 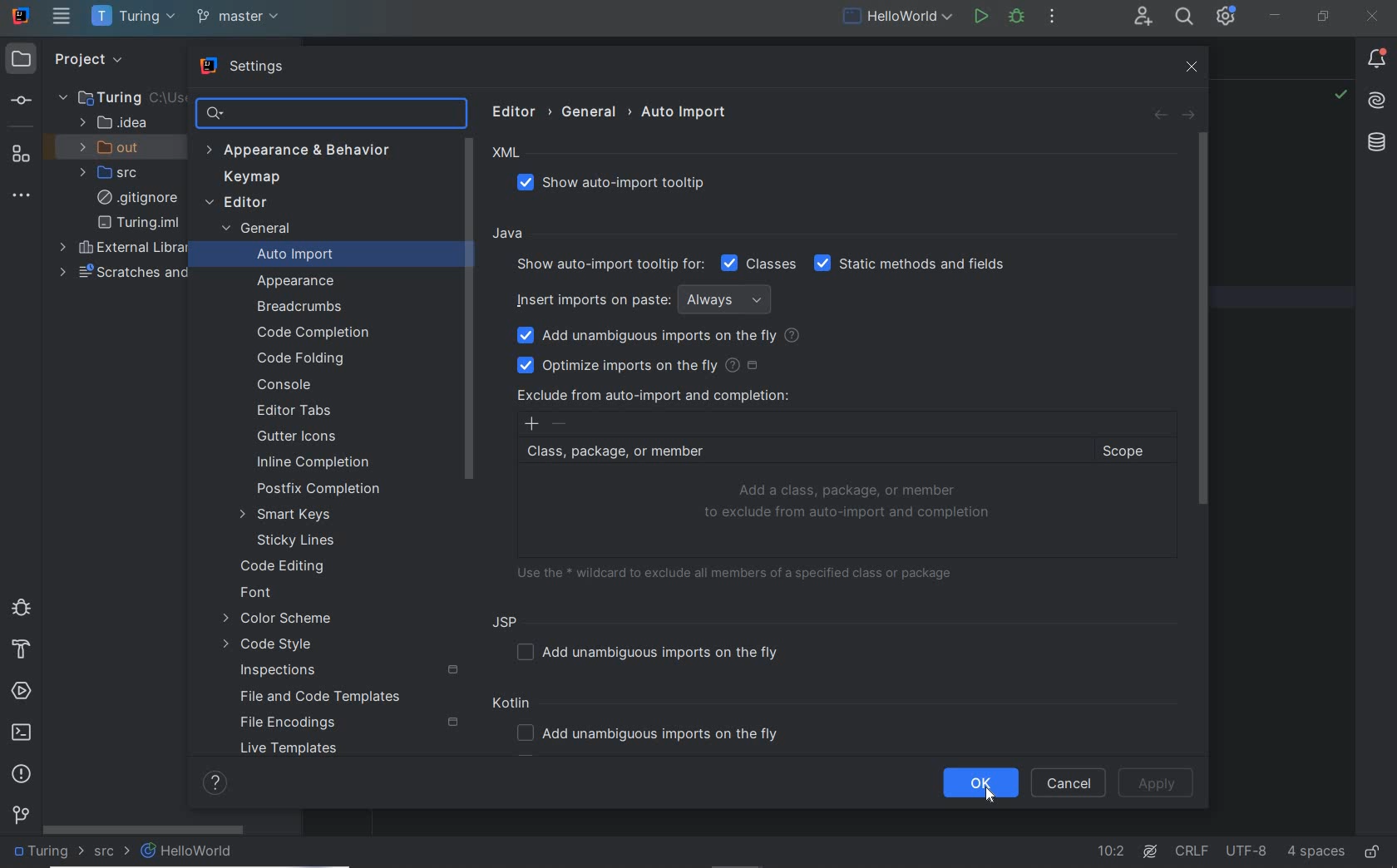 I want to click on general, so click(x=592, y=111).